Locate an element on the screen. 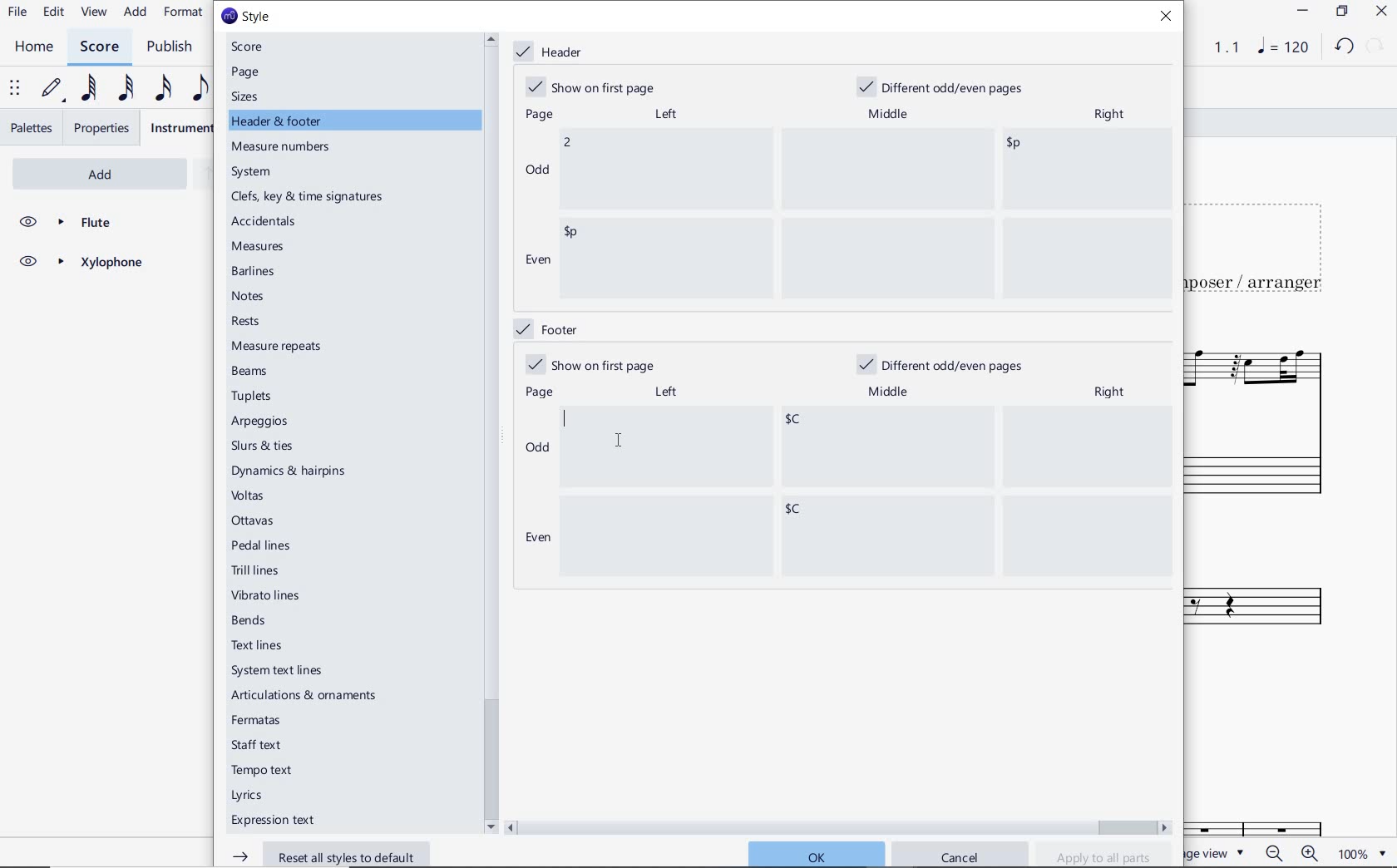  PALETTES is located at coordinates (30, 128).